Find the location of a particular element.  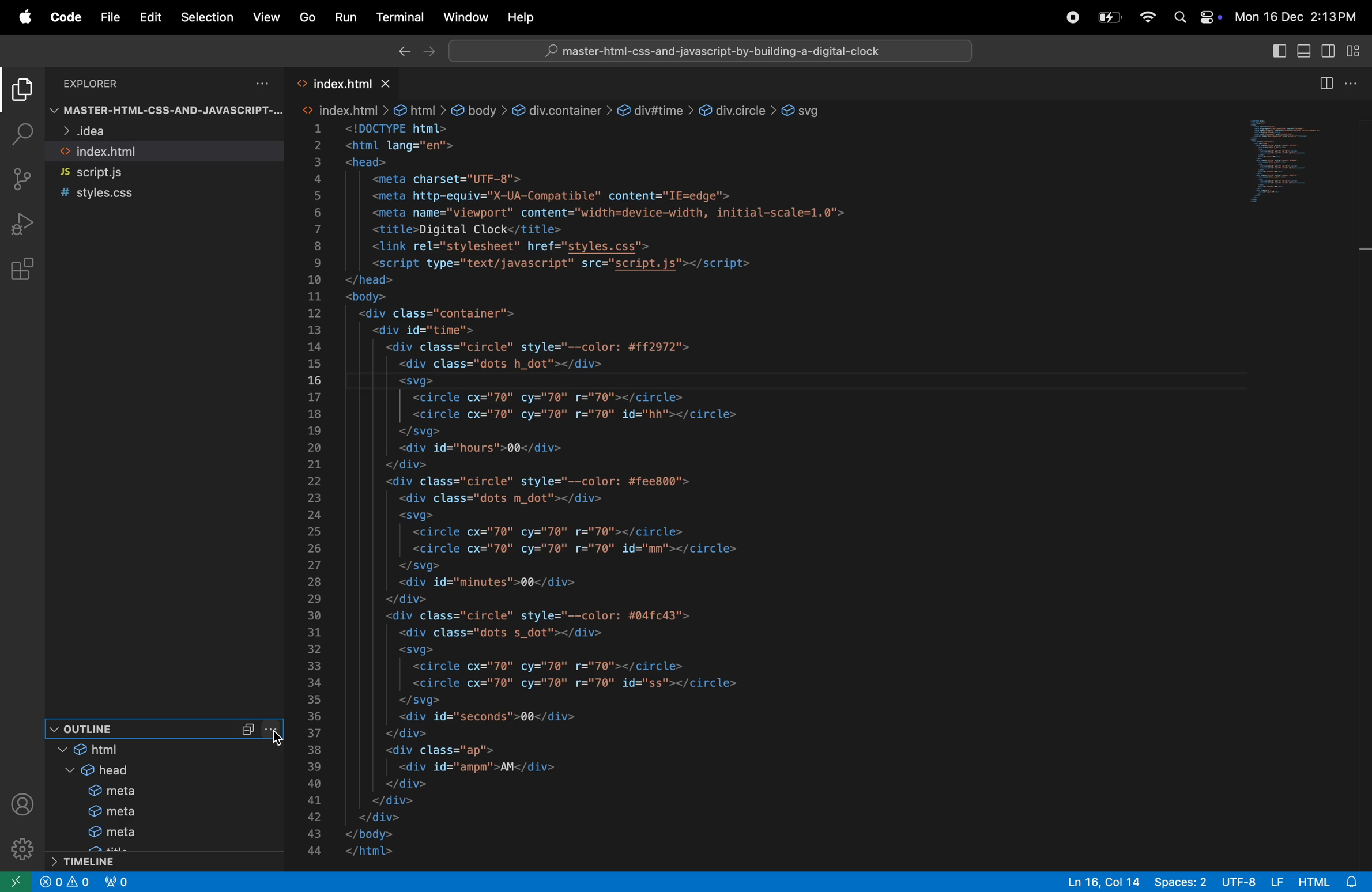

alerts is located at coordinates (79, 883).